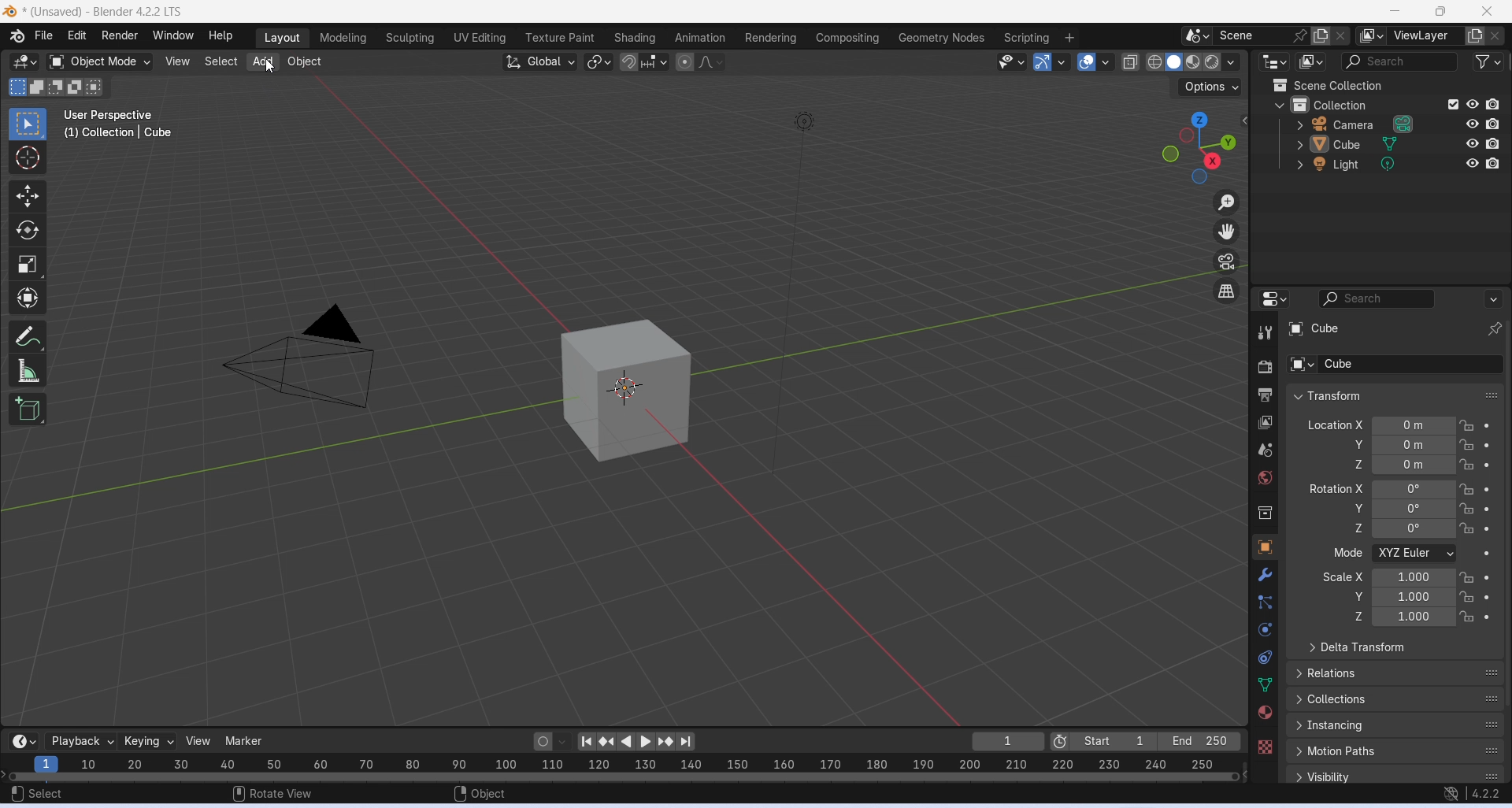 The image size is (1512, 808). Describe the element at coordinates (1486, 554) in the screenshot. I see `animate property` at that location.